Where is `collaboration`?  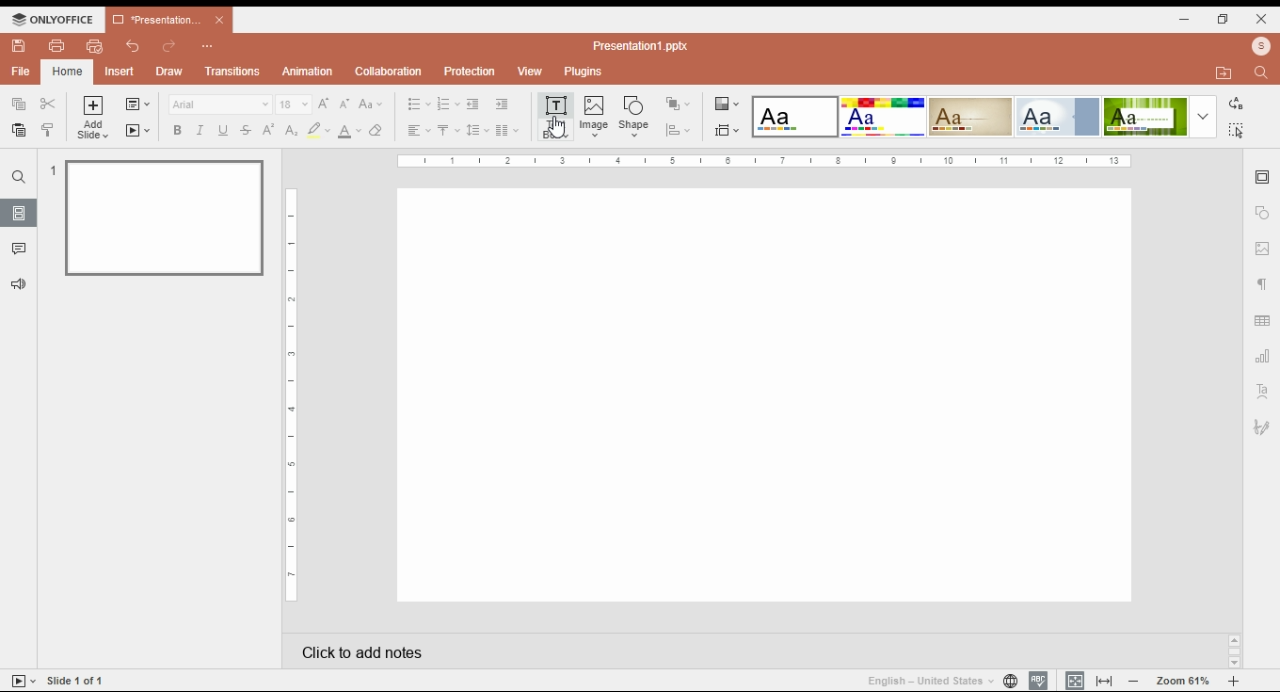
collaboration is located at coordinates (389, 73).